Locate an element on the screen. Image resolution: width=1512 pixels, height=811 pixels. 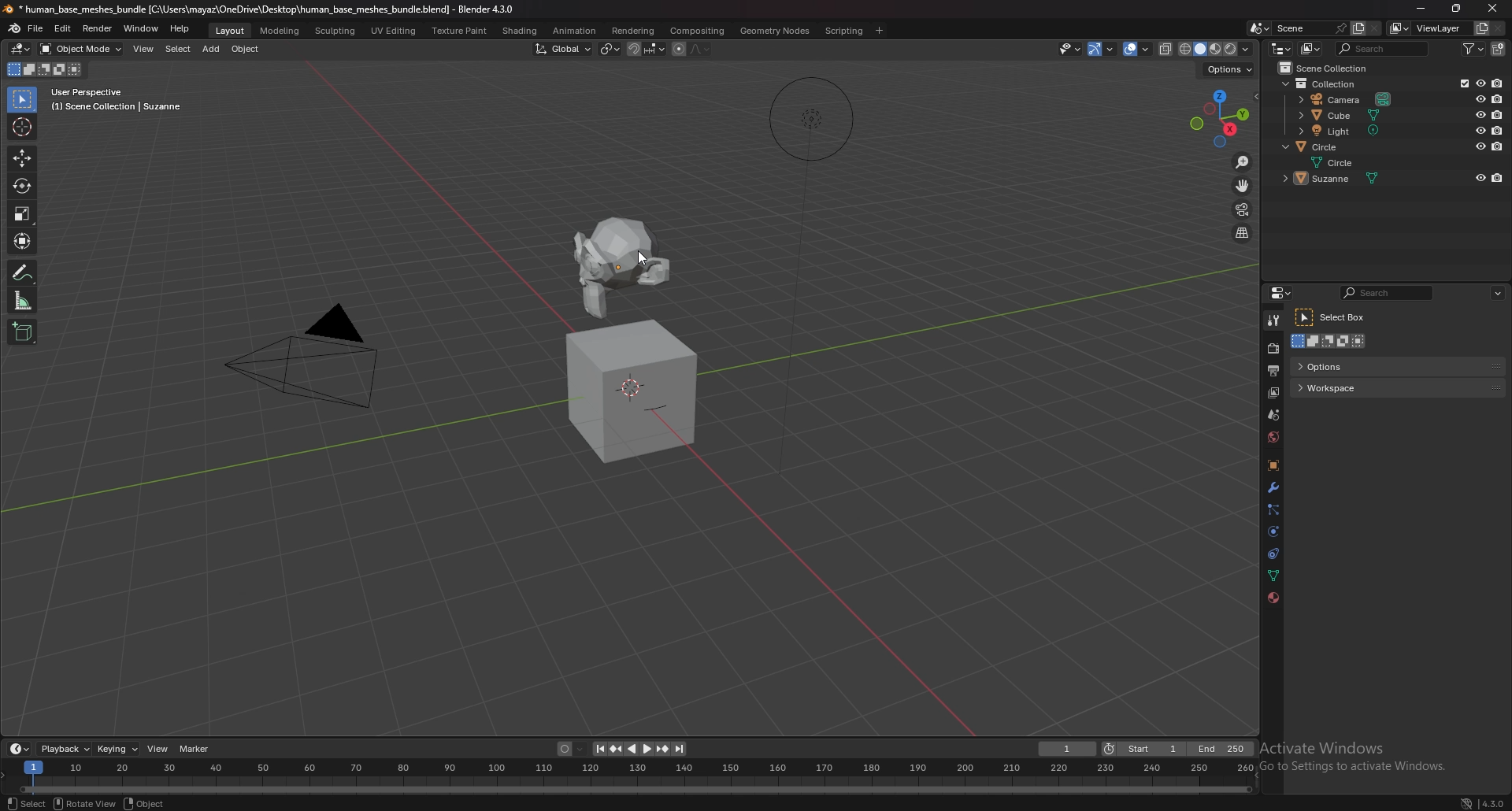
transform is located at coordinates (24, 242).